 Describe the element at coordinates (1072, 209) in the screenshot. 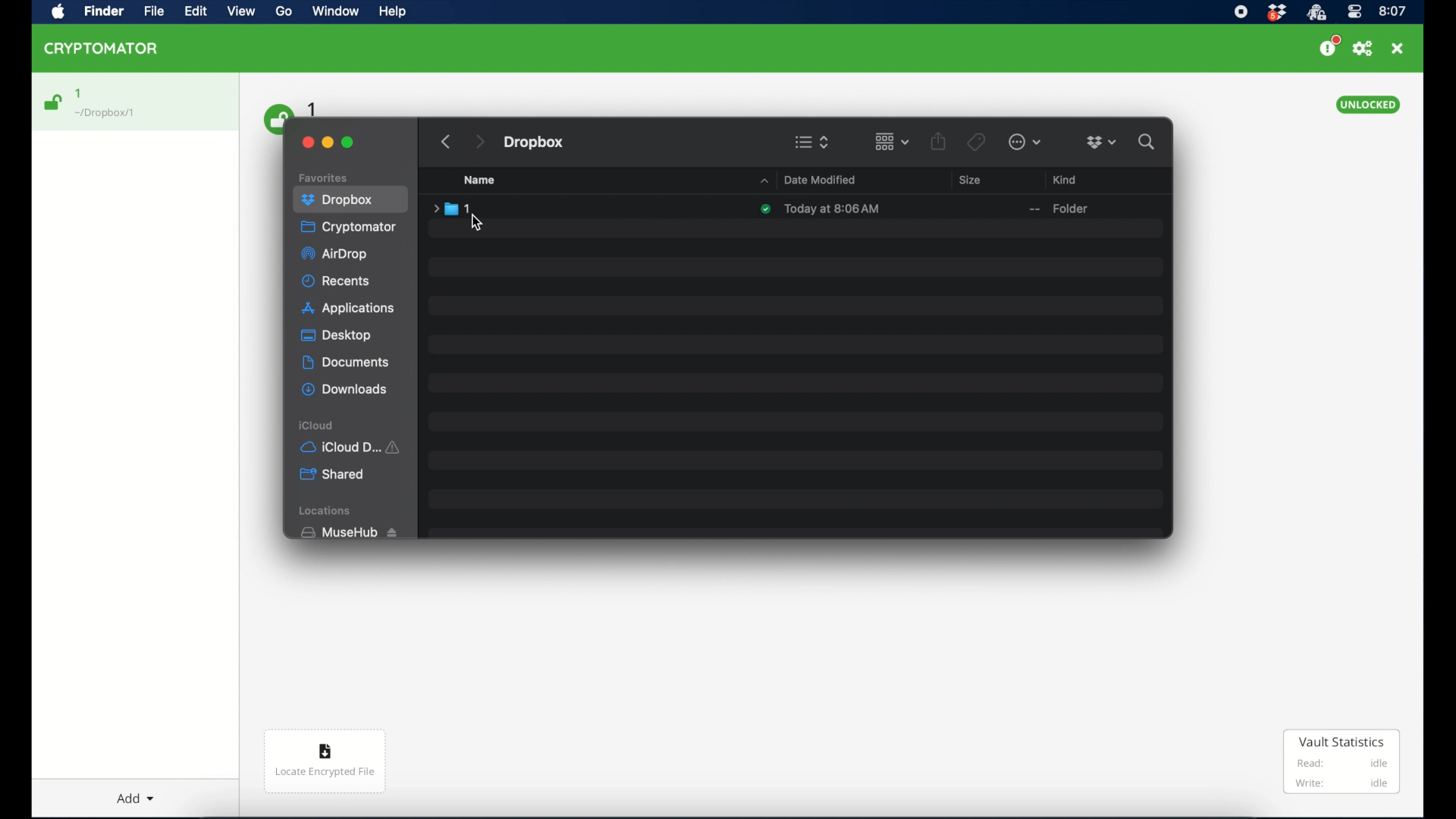

I see `older` at that location.